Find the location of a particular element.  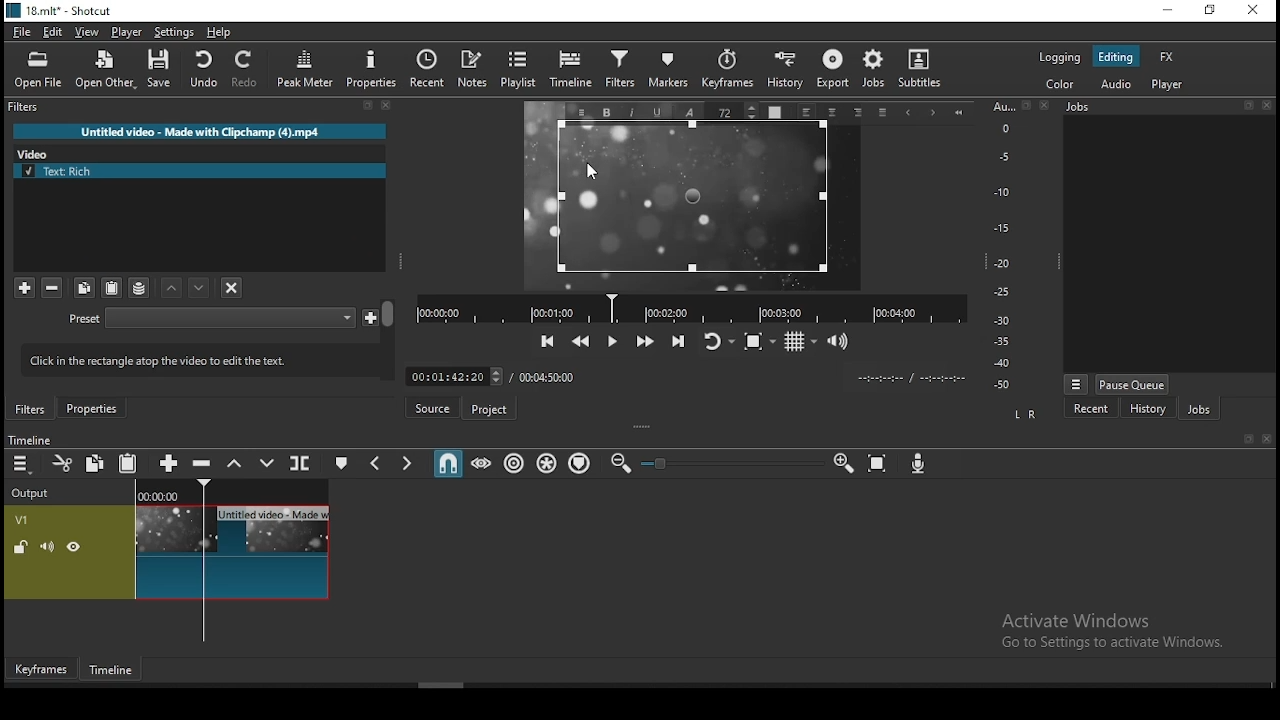

recent is located at coordinates (427, 69).